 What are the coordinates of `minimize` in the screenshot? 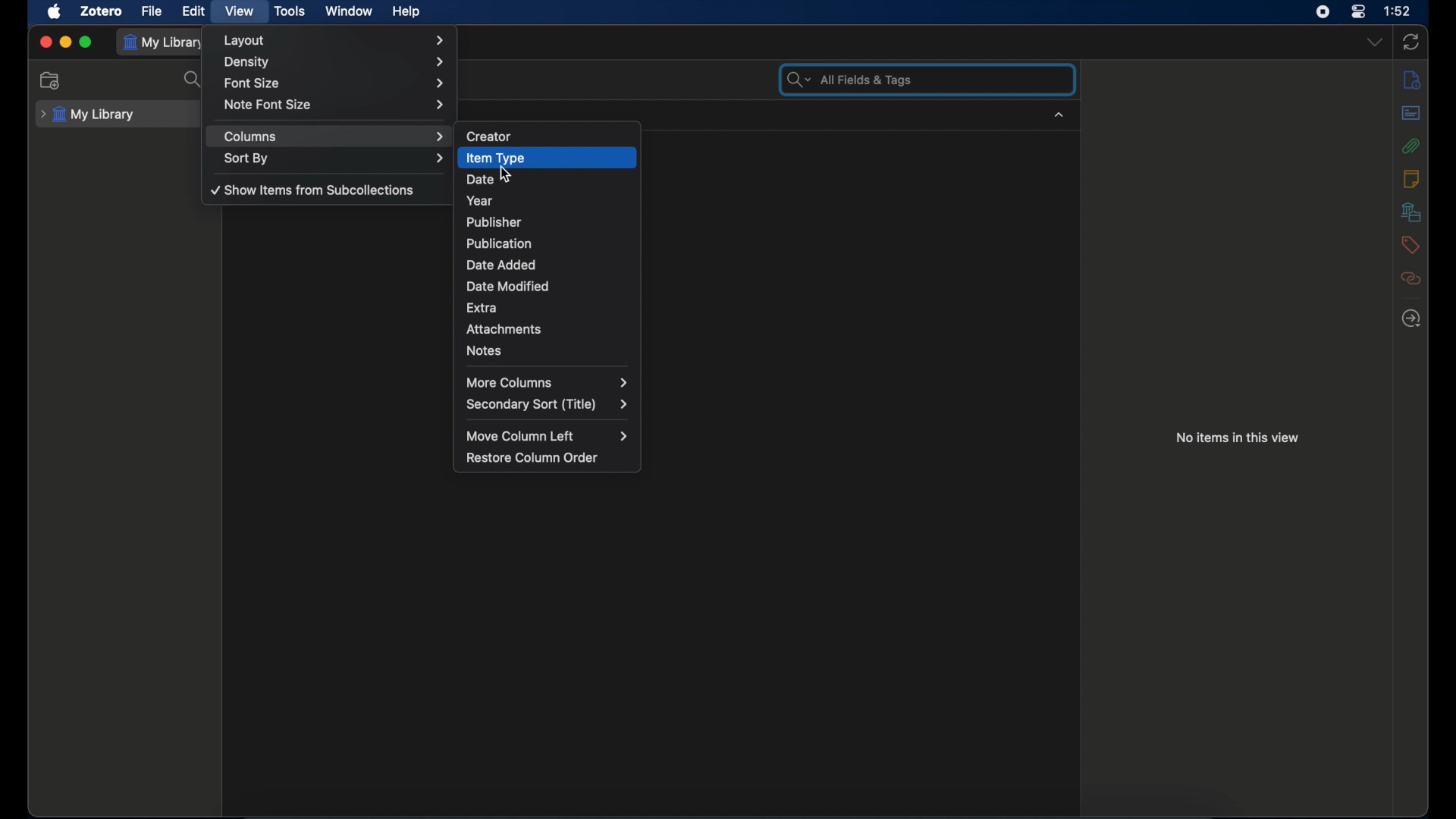 It's located at (65, 41).